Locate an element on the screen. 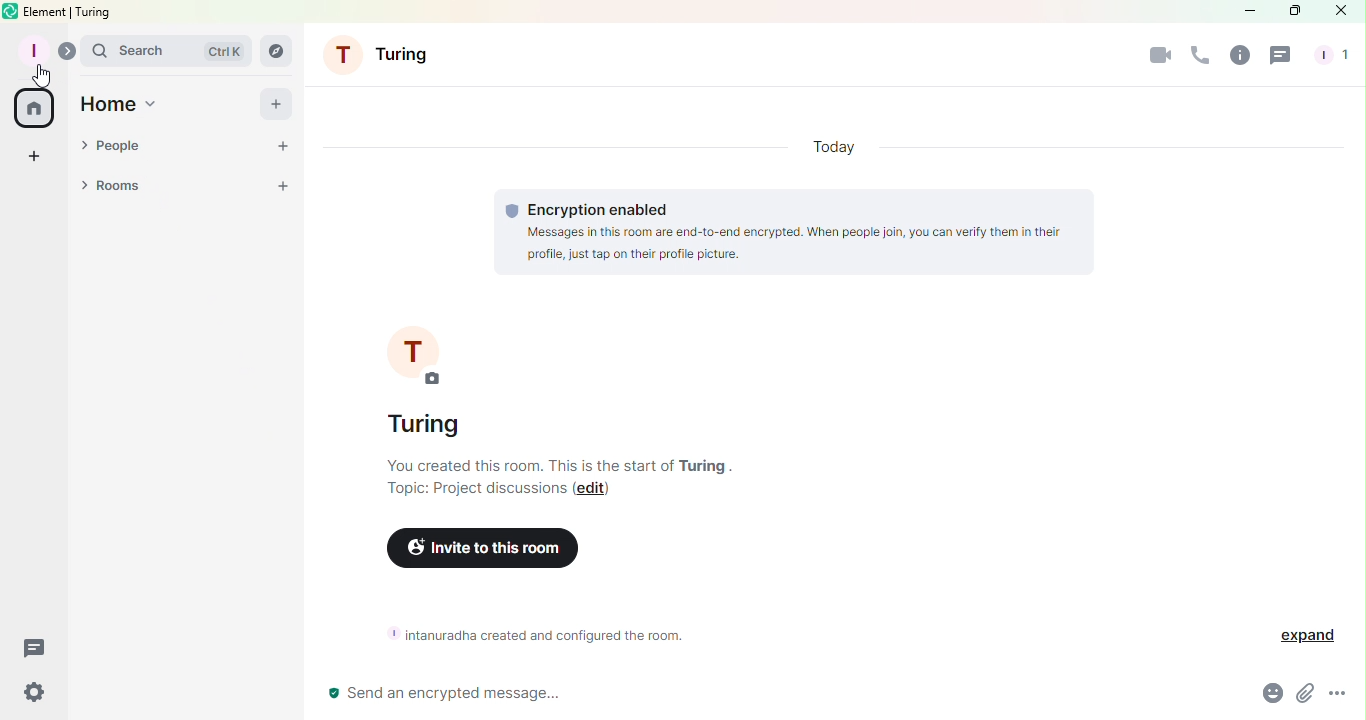 The height and width of the screenshot is (720, 1366). Profile picture is located at coordinates (421, 352).